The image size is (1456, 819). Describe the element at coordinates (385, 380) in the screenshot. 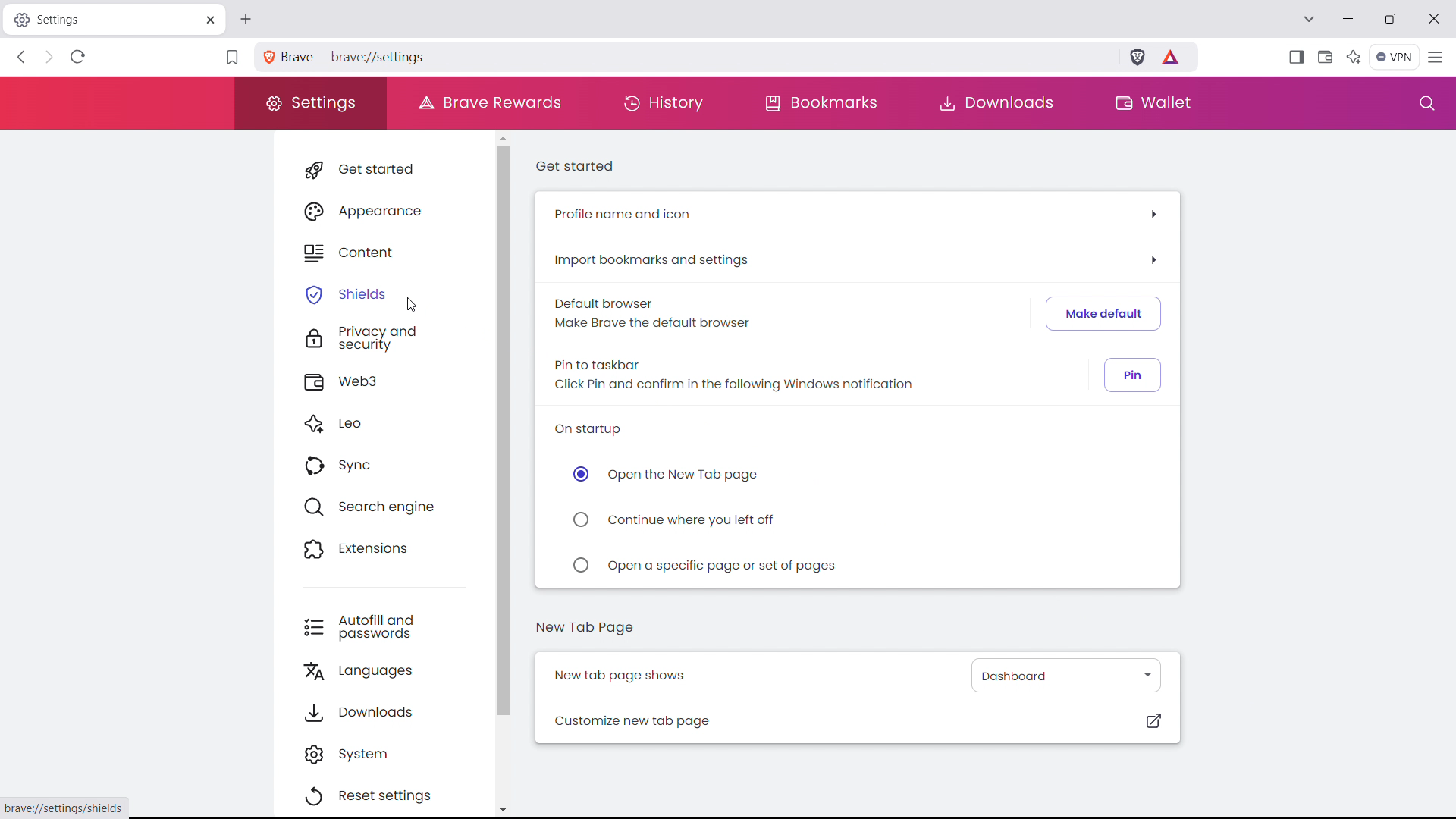

I see `web3` at that location.